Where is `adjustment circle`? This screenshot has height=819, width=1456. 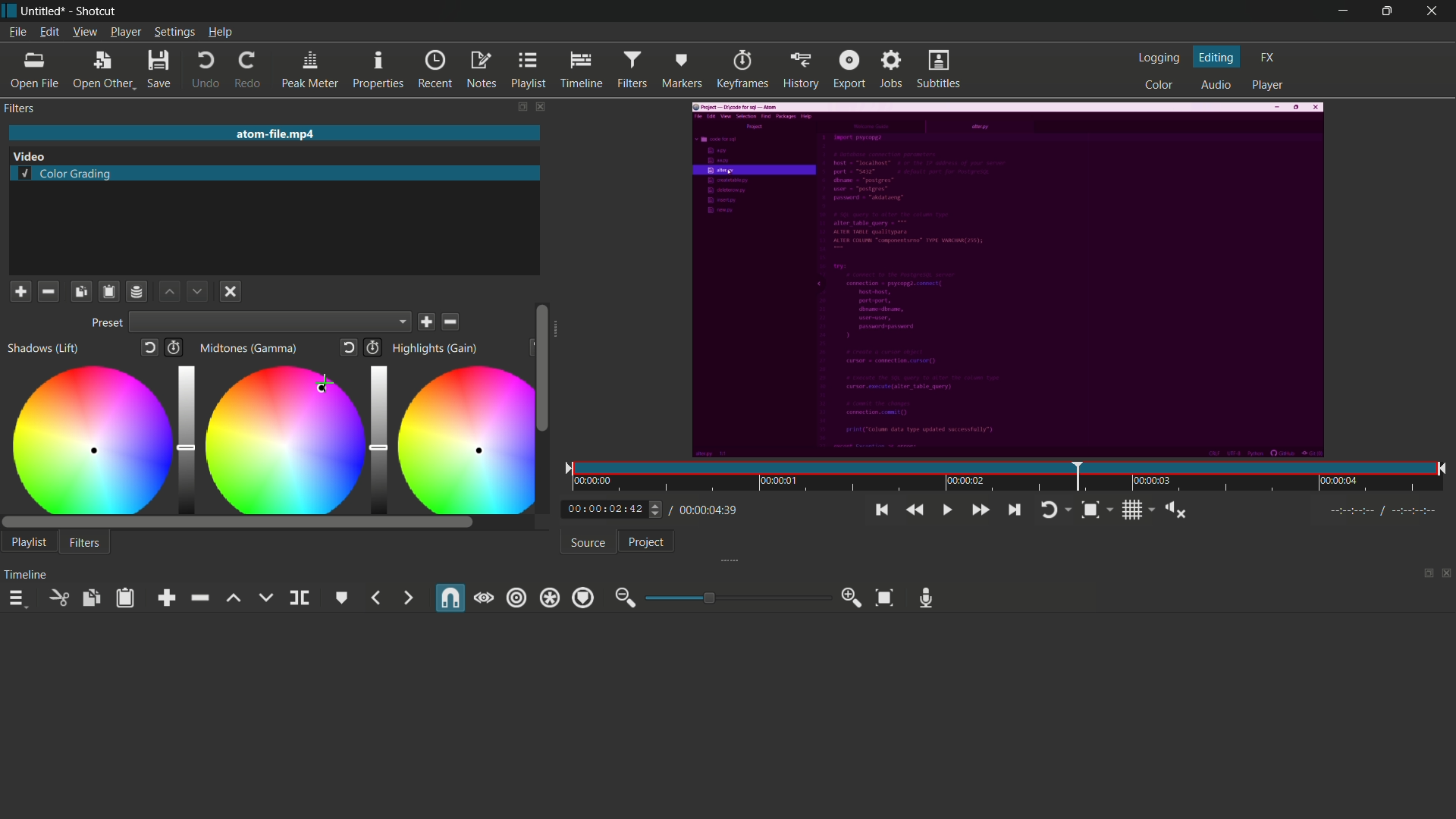 adjustment circle is located at coordinates (88, 439).